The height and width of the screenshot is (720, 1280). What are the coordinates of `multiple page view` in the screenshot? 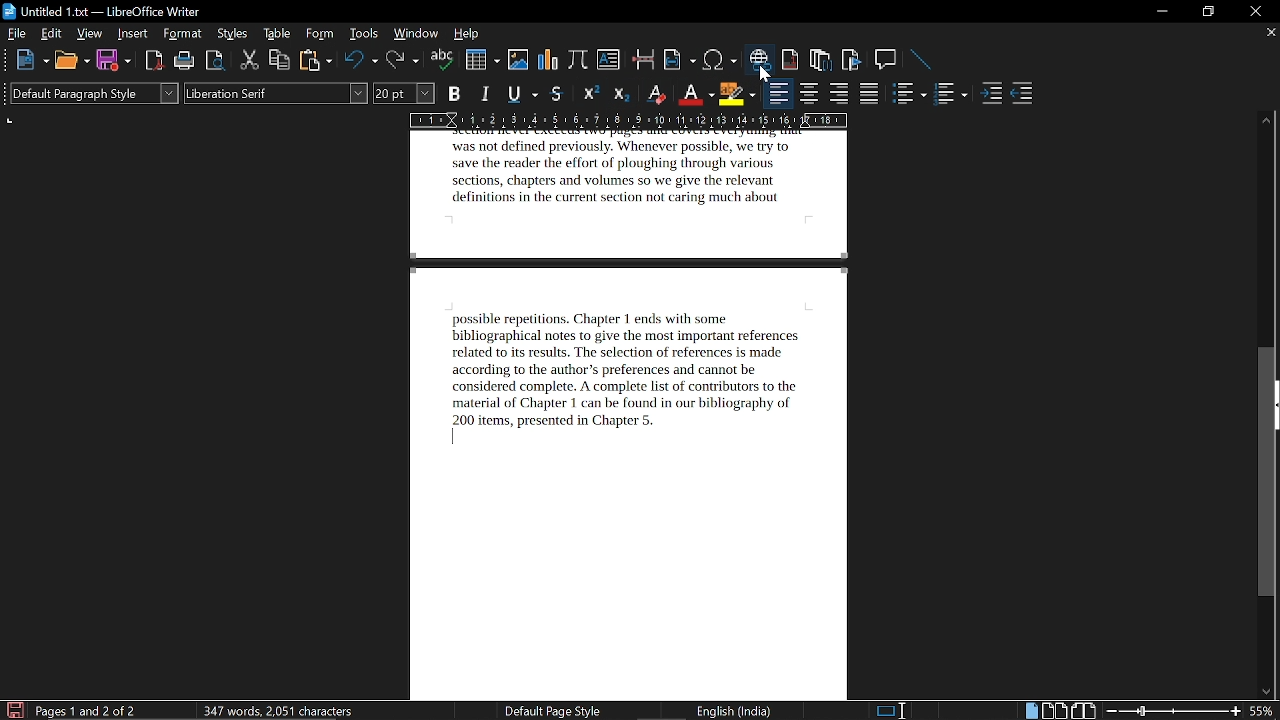 It's located at (1054, 710).